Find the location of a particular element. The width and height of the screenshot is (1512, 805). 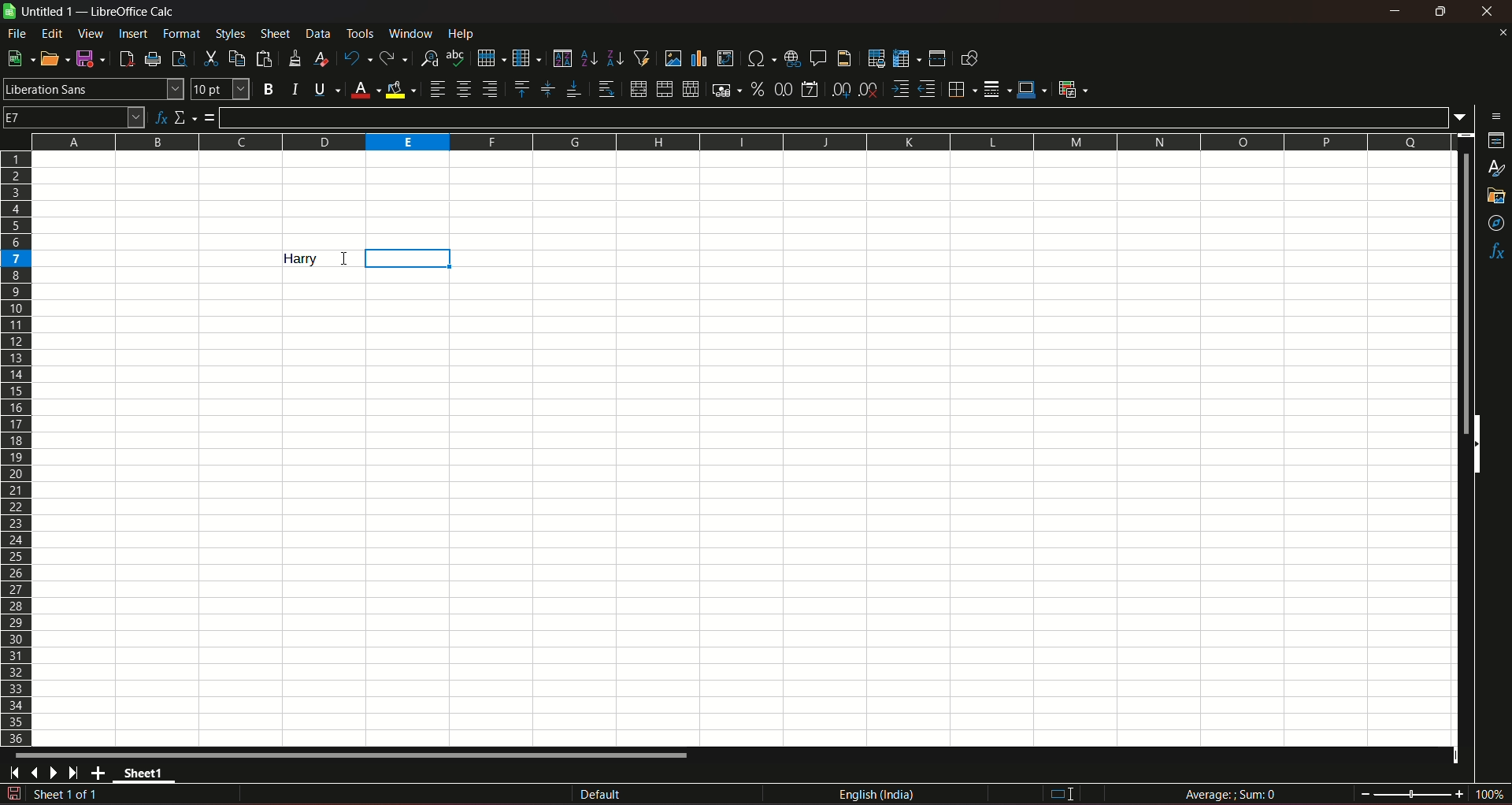

default is located at coordinates (601, 796).